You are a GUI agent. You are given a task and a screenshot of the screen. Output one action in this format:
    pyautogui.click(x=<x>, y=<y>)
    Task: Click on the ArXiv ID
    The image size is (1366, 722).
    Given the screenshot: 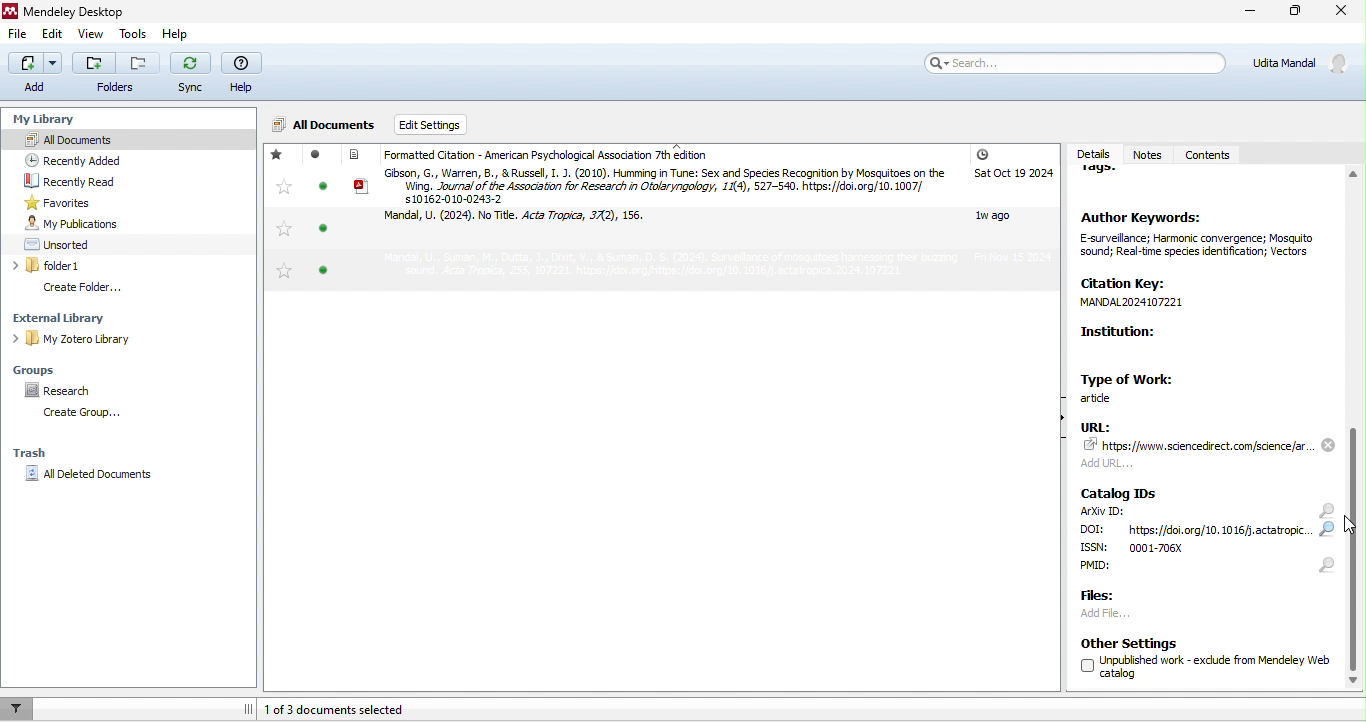 What is the action you would take?
    pyautogui.click(x=1102, y=512)
    